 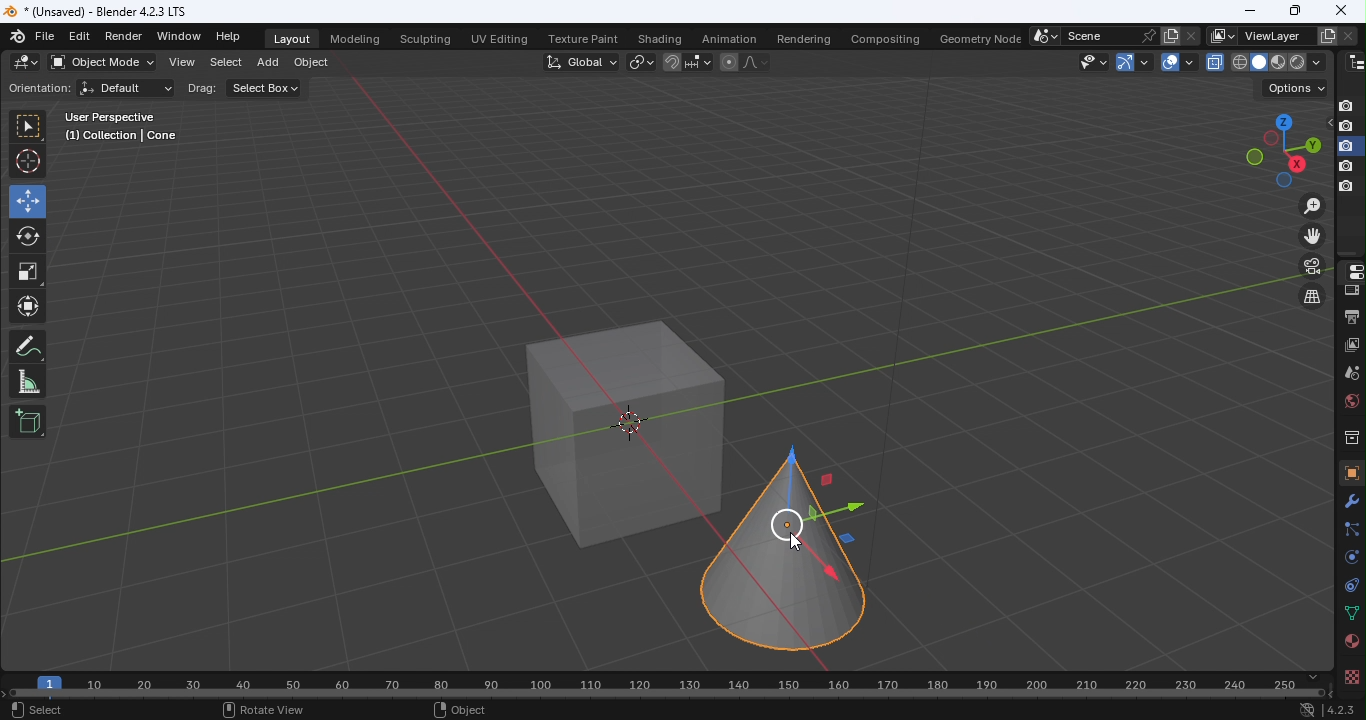 I want to click on UV editing, so click(x=503, y=36).